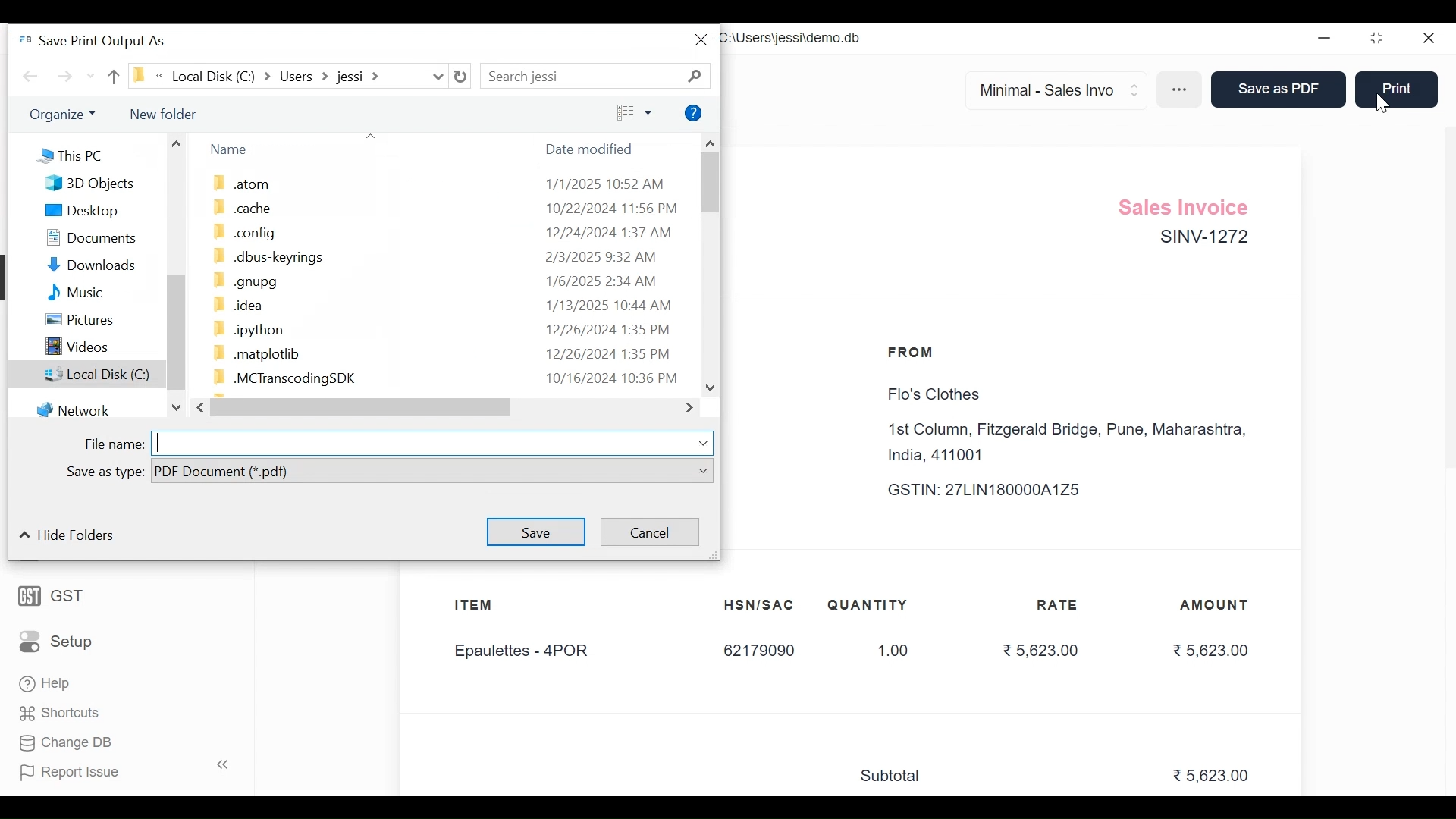 The height and width of the screenshot is (819, 1456). What do you see at coordinates (256, 354) in the screenshot?
I see `.matplotlib` at bounding box center [256, 354].